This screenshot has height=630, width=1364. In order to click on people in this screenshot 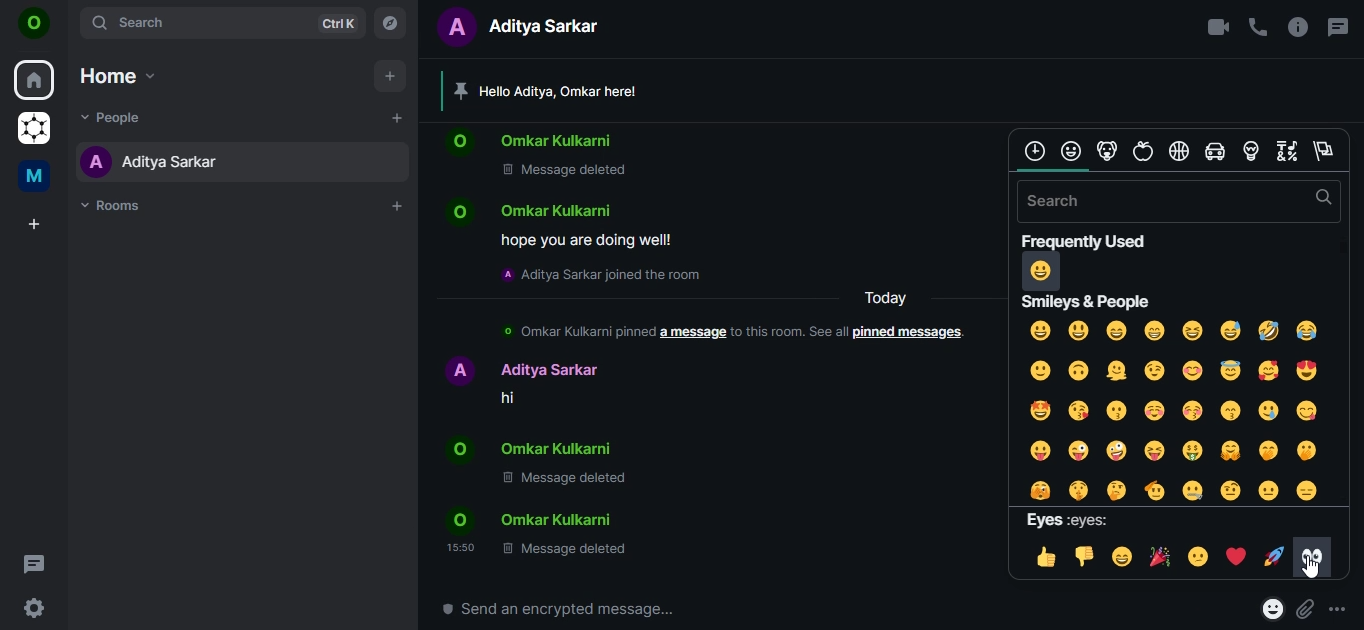, I will do `click(109, 116)`.